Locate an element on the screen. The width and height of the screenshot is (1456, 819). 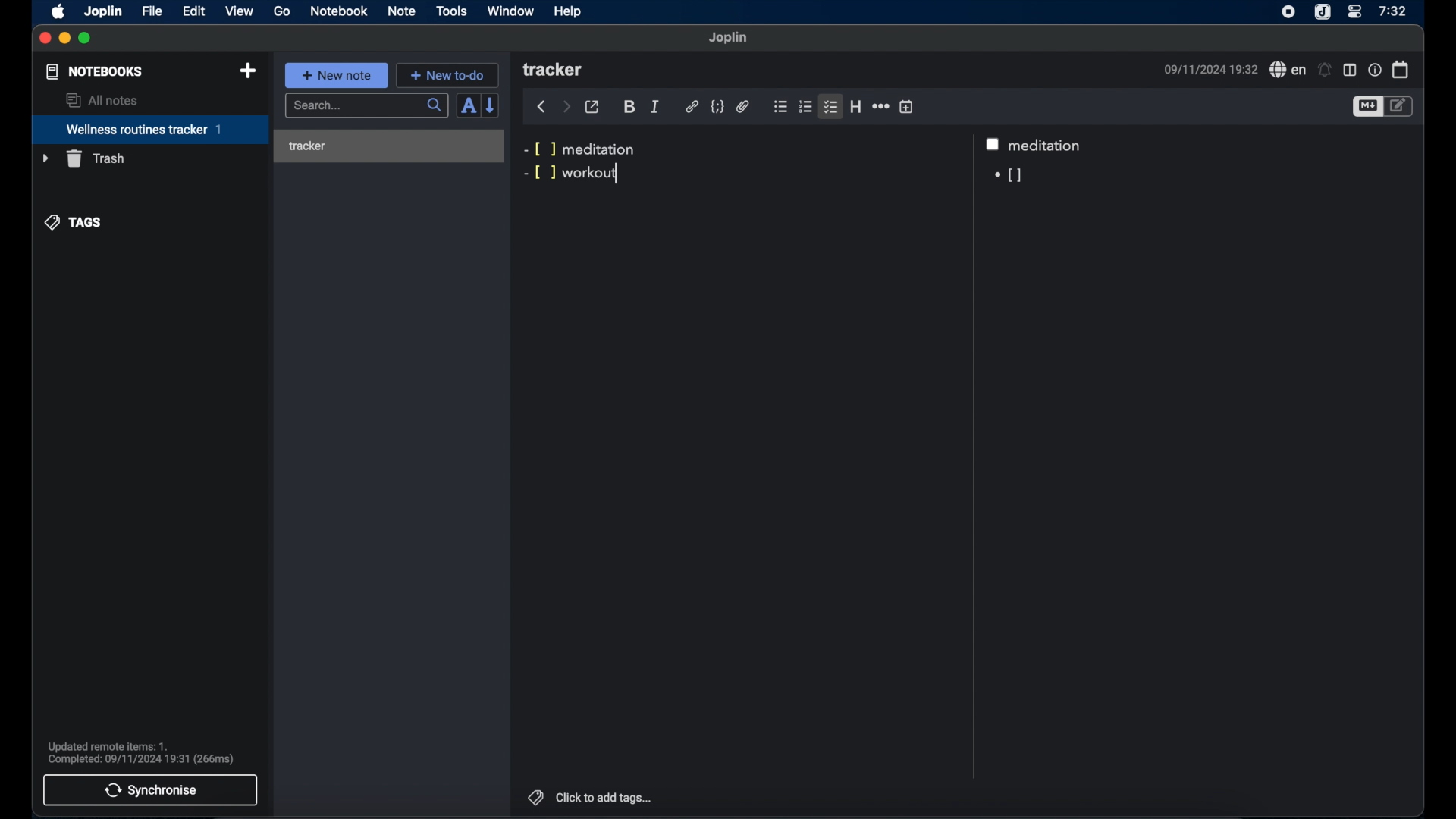
wellness routines tracker 1 is located at coordinates (149, 130).